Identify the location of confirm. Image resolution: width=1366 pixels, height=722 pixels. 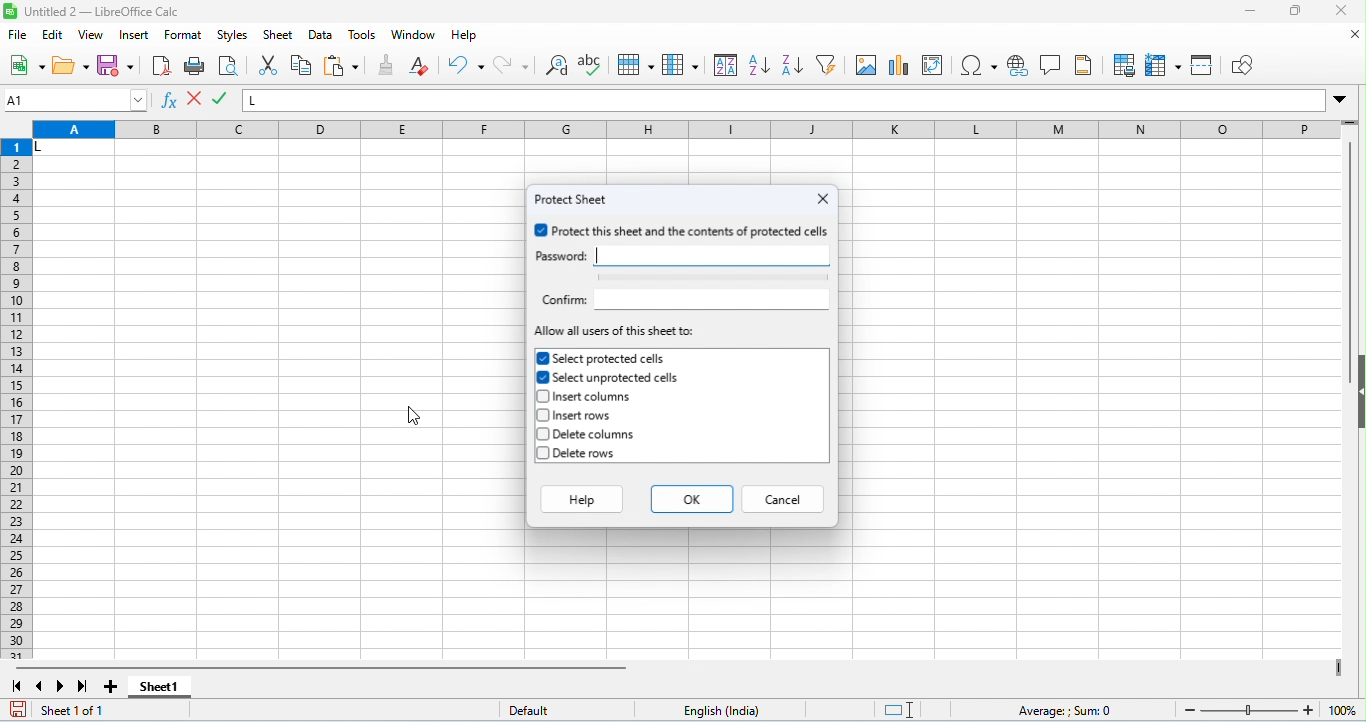
(562, 300).